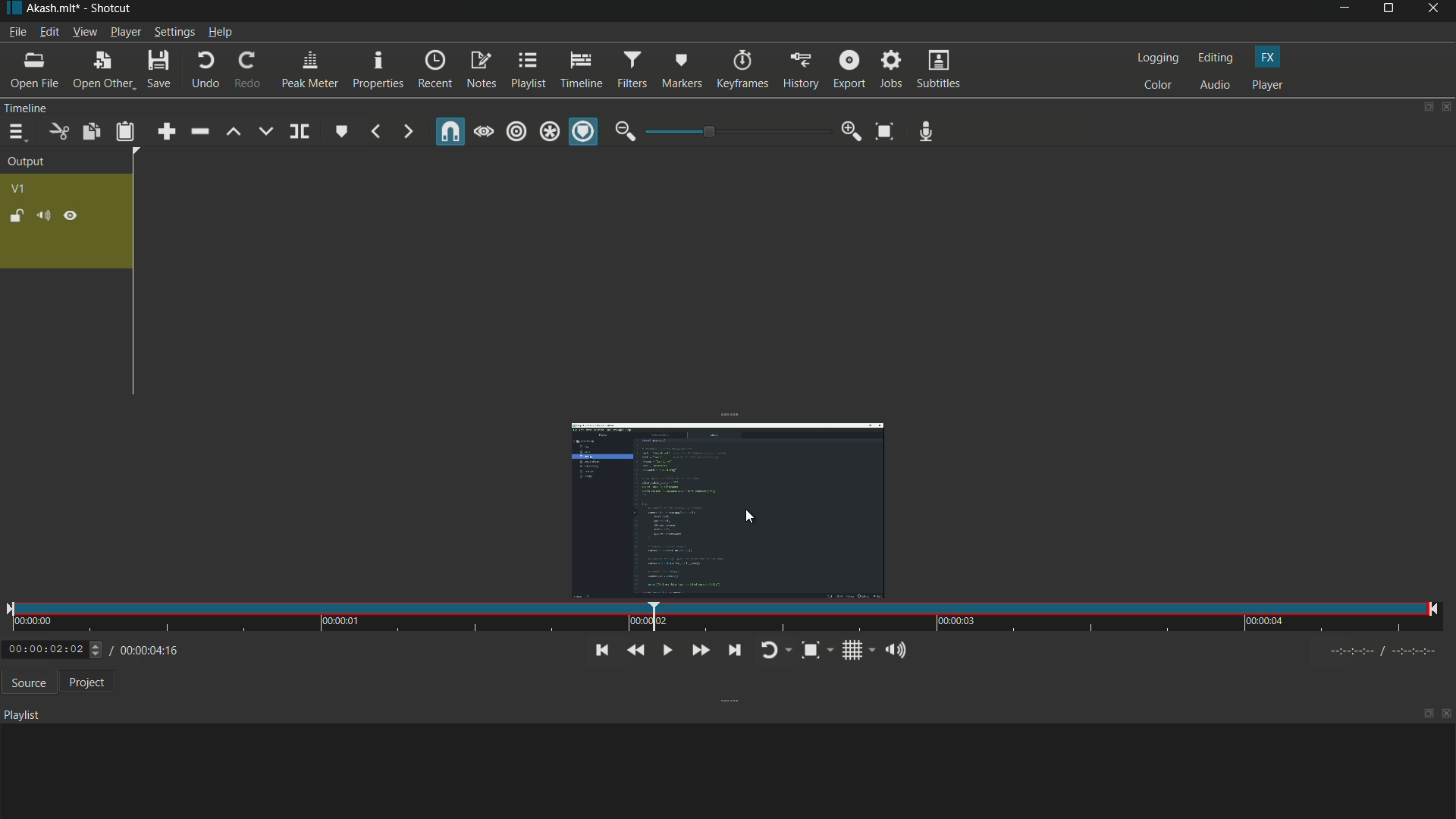  I want to click on previous marker, so click(376, 133).